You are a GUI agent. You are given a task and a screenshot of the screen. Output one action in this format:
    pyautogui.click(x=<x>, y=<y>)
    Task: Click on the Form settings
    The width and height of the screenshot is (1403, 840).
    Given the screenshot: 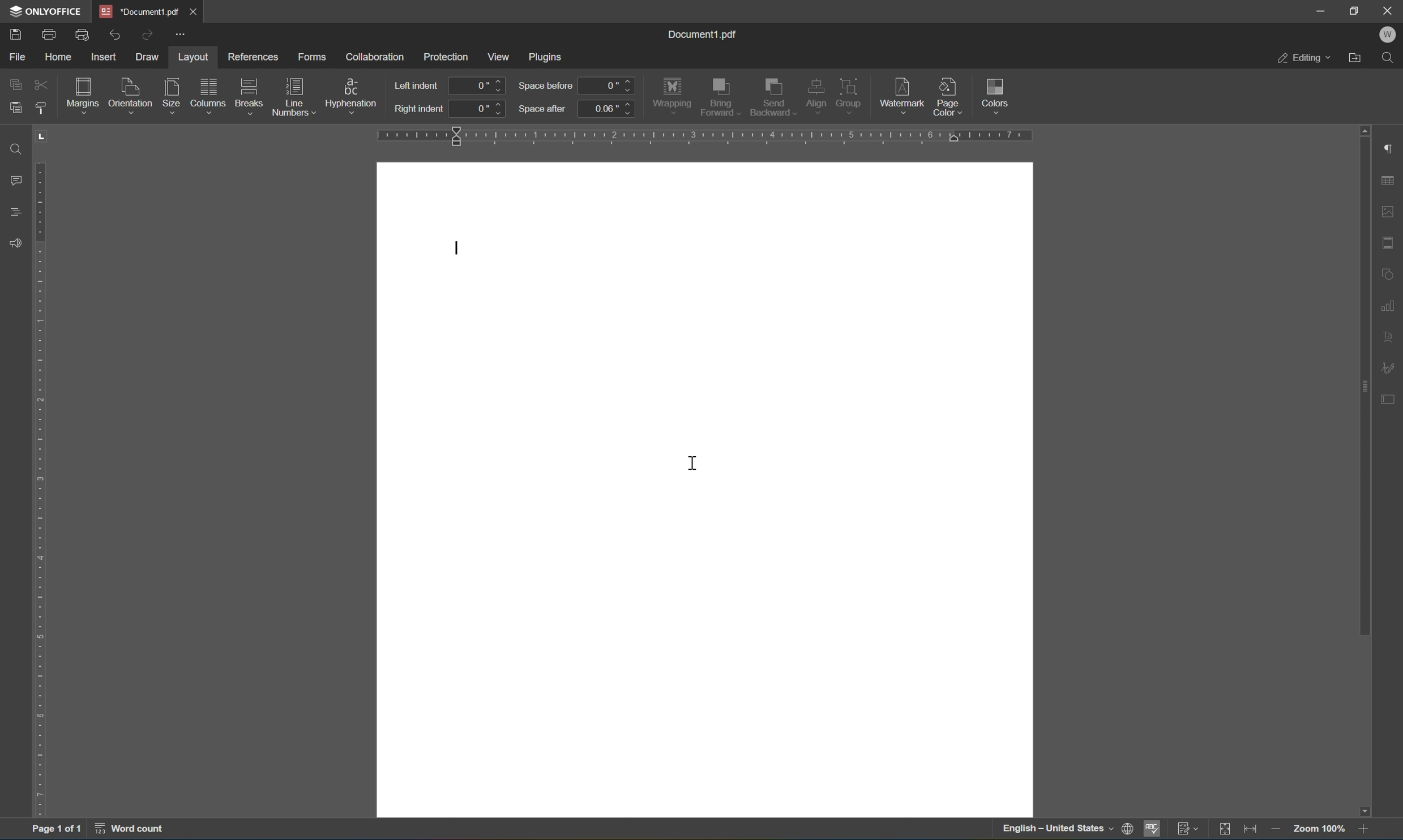 What is the action you would take?
    pyautogui.click(x=1388, y=397)
    